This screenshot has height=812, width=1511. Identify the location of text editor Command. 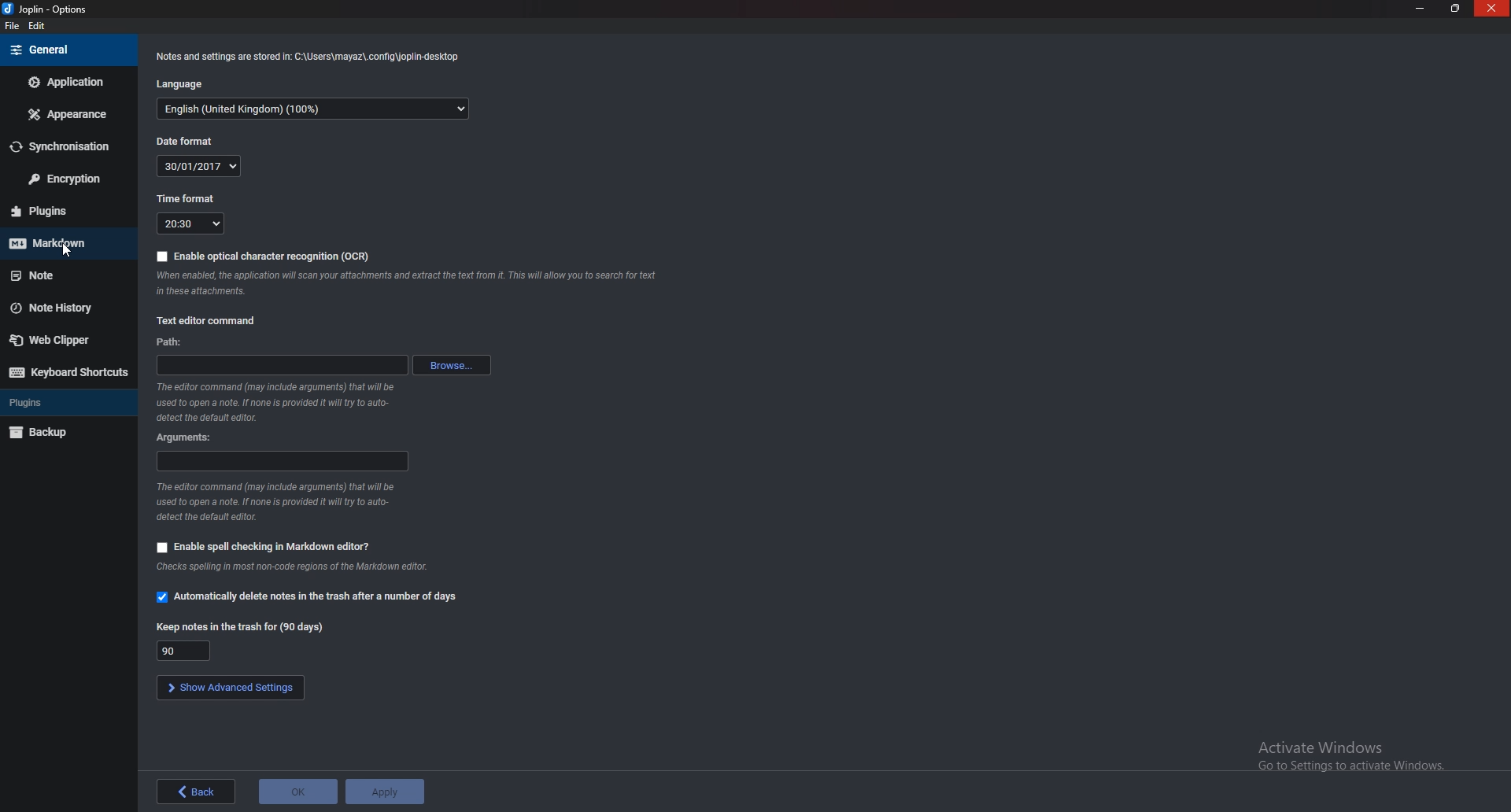
(210, 319).